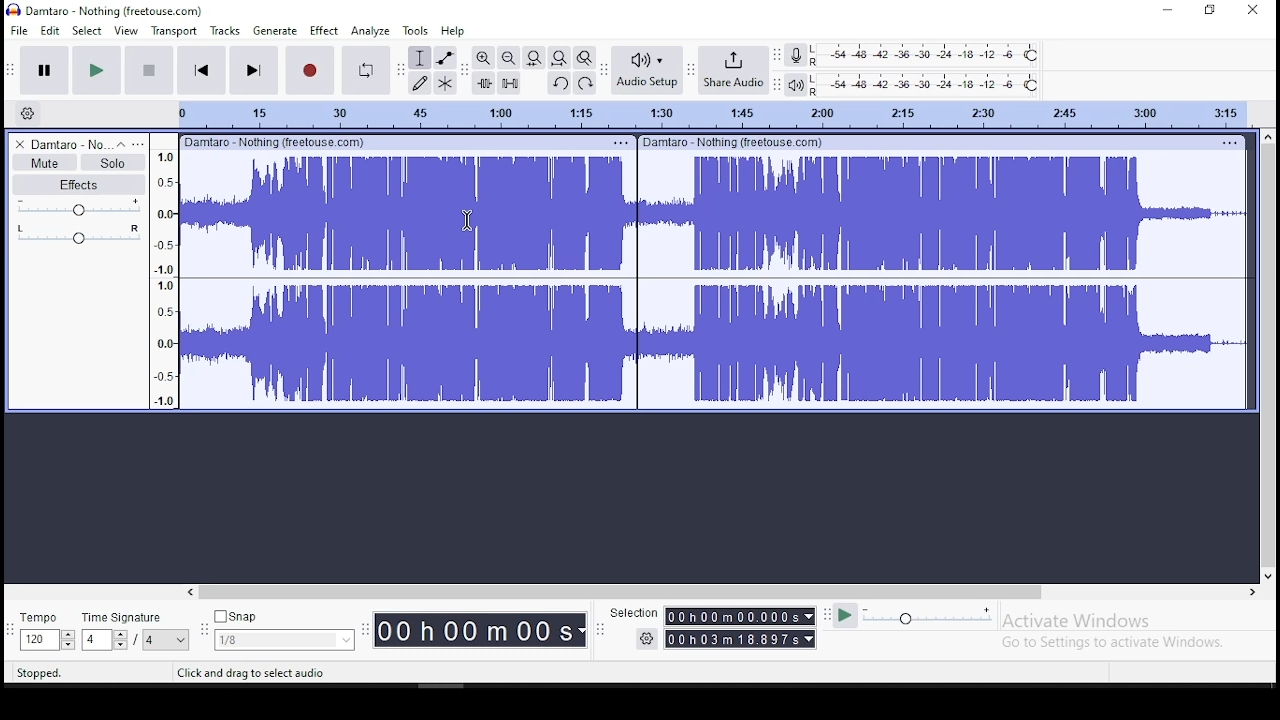  I want to click on scroll left, so click(189, 592).